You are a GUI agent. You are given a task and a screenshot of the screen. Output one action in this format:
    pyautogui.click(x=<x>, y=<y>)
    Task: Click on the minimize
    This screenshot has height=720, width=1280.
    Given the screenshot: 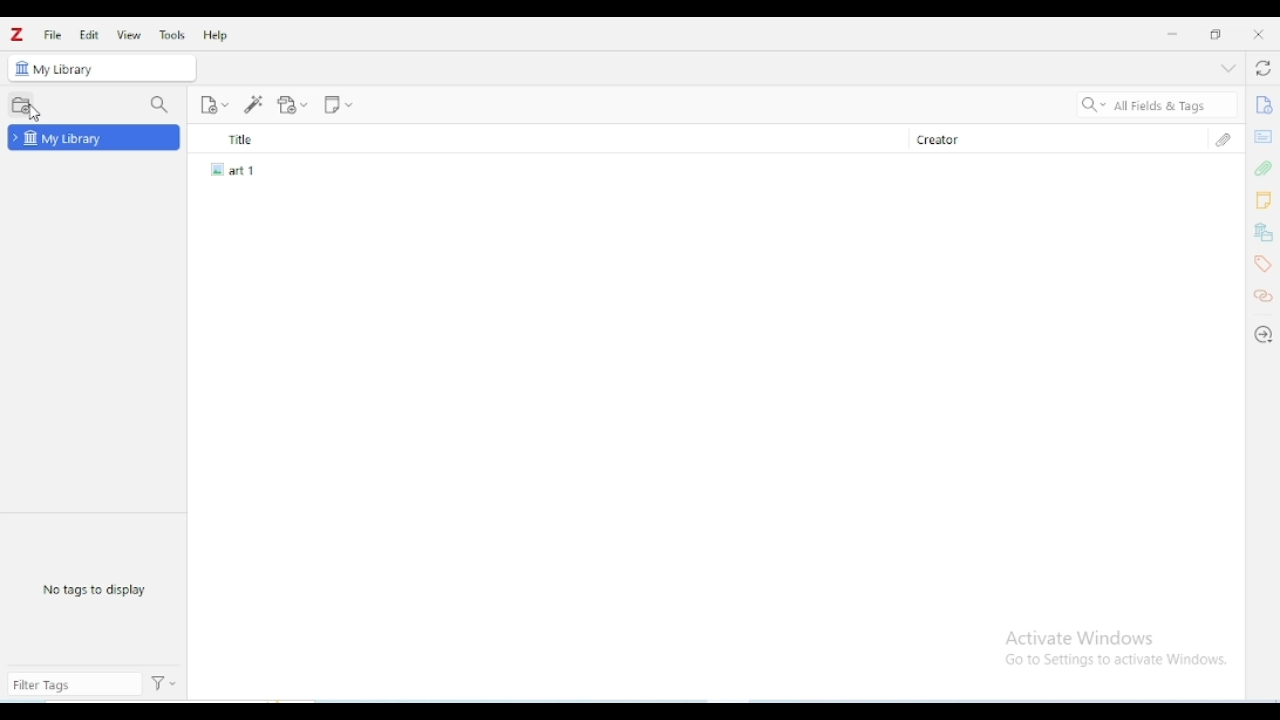 What is the action you would take?
    pyautogui.click(x=1174, y=34)
    